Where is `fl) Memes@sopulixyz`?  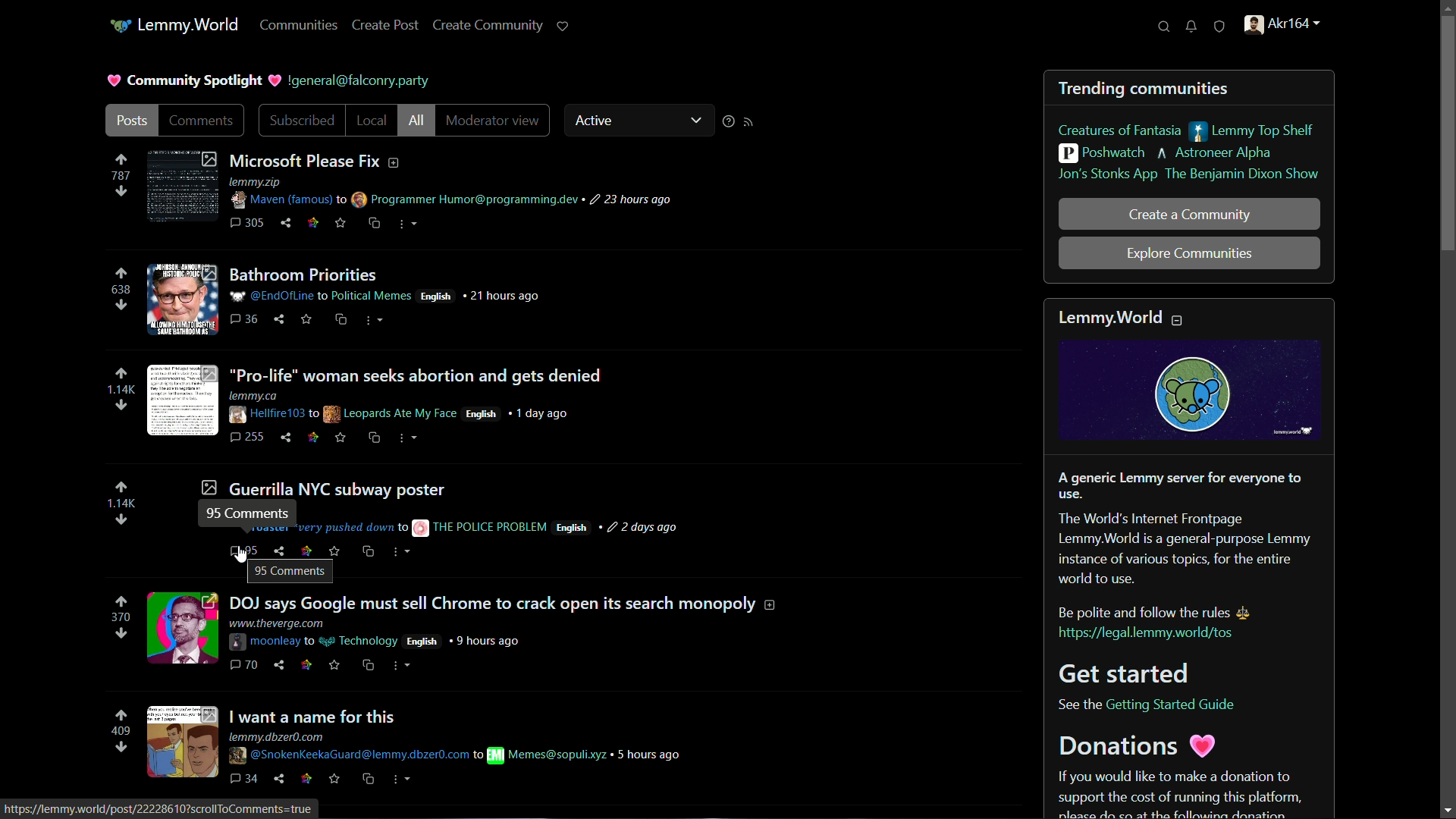
fl) Memes@sopulixyz is located at coordinates (548, 755).